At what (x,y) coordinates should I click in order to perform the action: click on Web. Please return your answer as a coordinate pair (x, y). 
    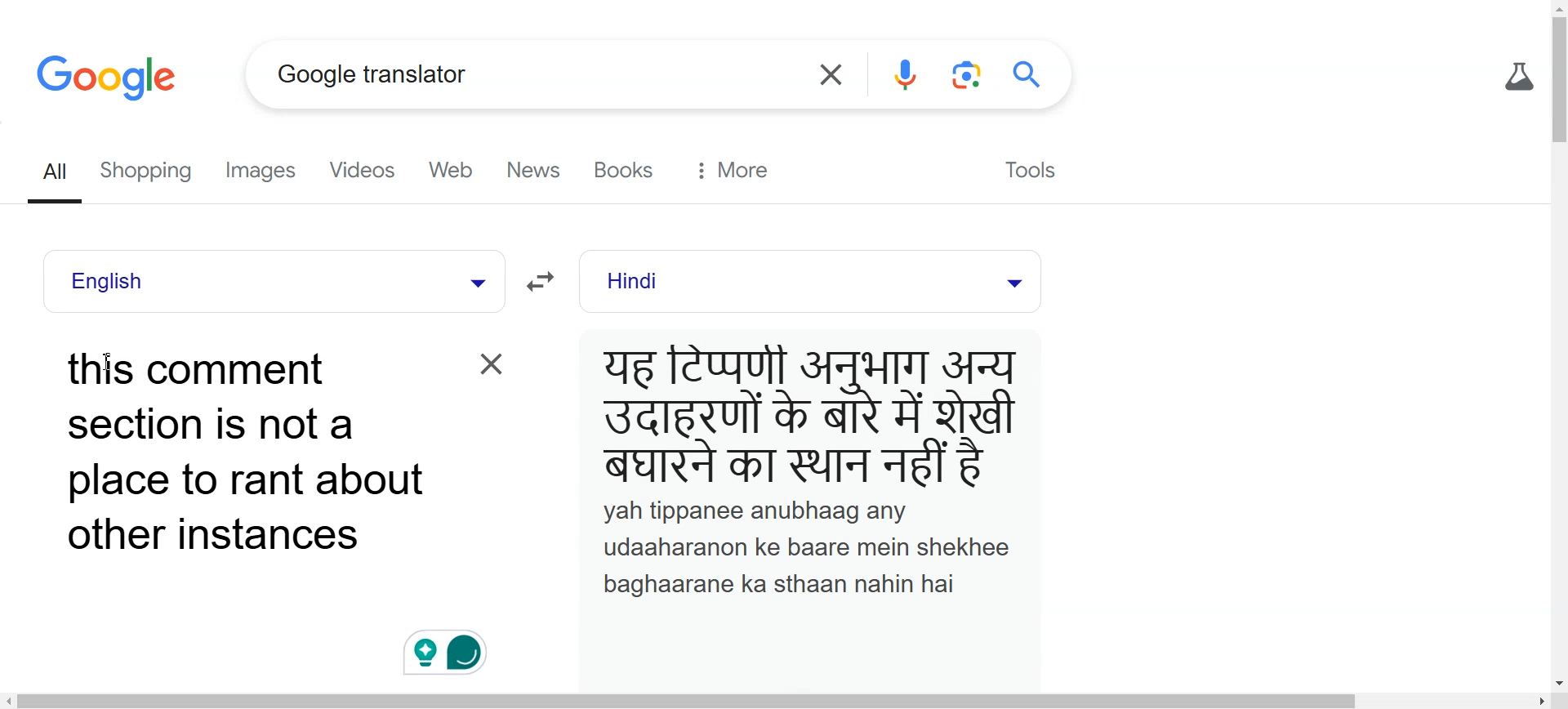
    Looking at the image, I should click on (457, 171).